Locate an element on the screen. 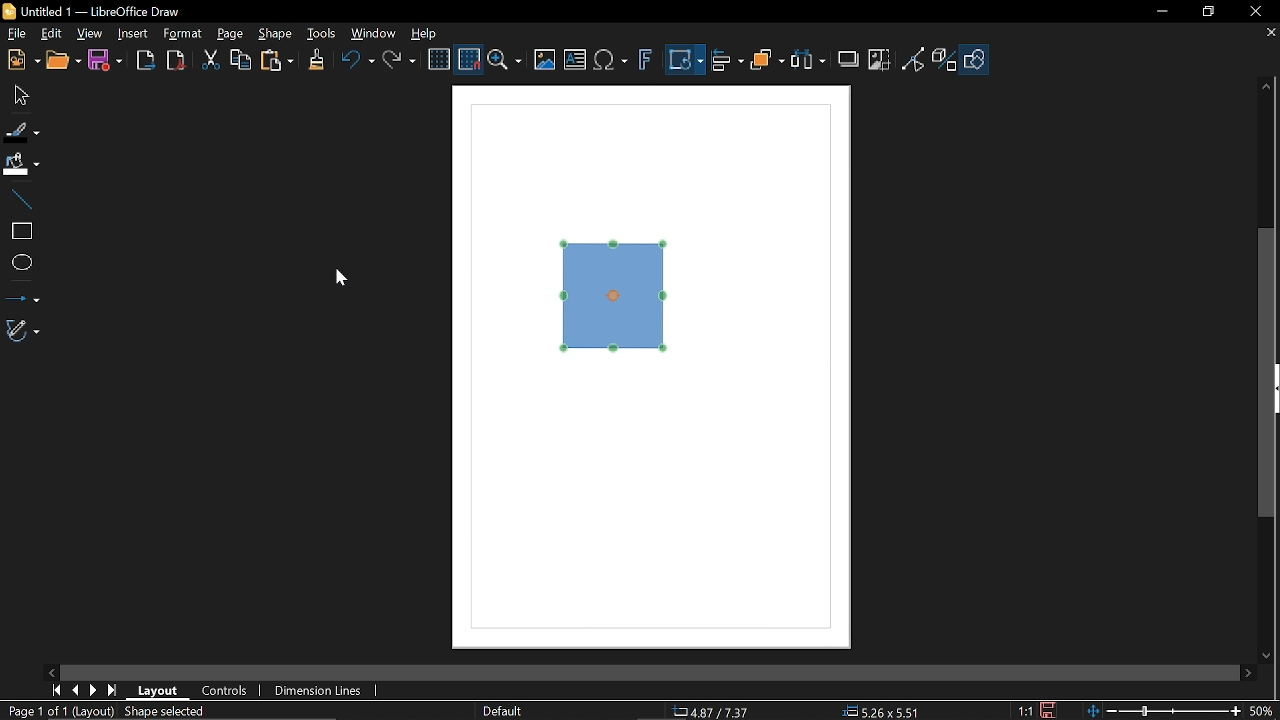 The width and height of the screenshot is (1280, 720). 50% (Current zoom) is located at coordinates (1262, 709).